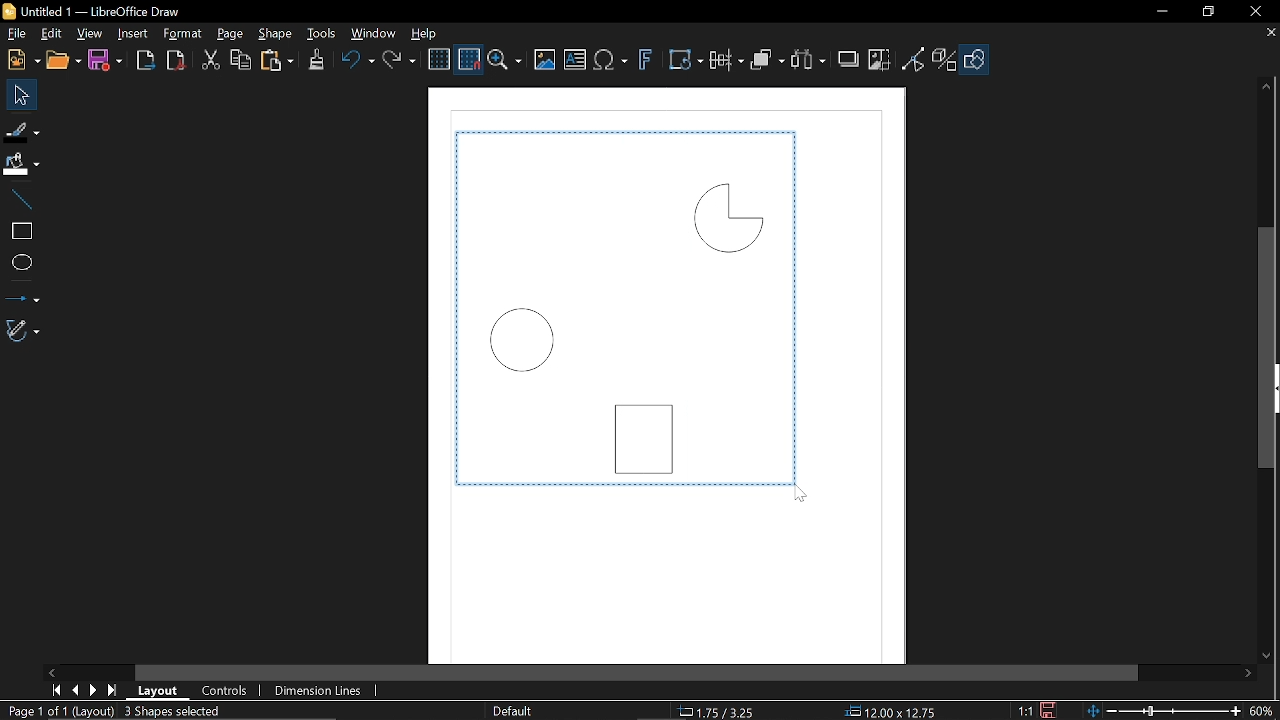 The height and width of the screenshot is (720, 1280). Describe the element at coordinates (453, 309) in the screenshot. I see `Line around selected objects` at that location.